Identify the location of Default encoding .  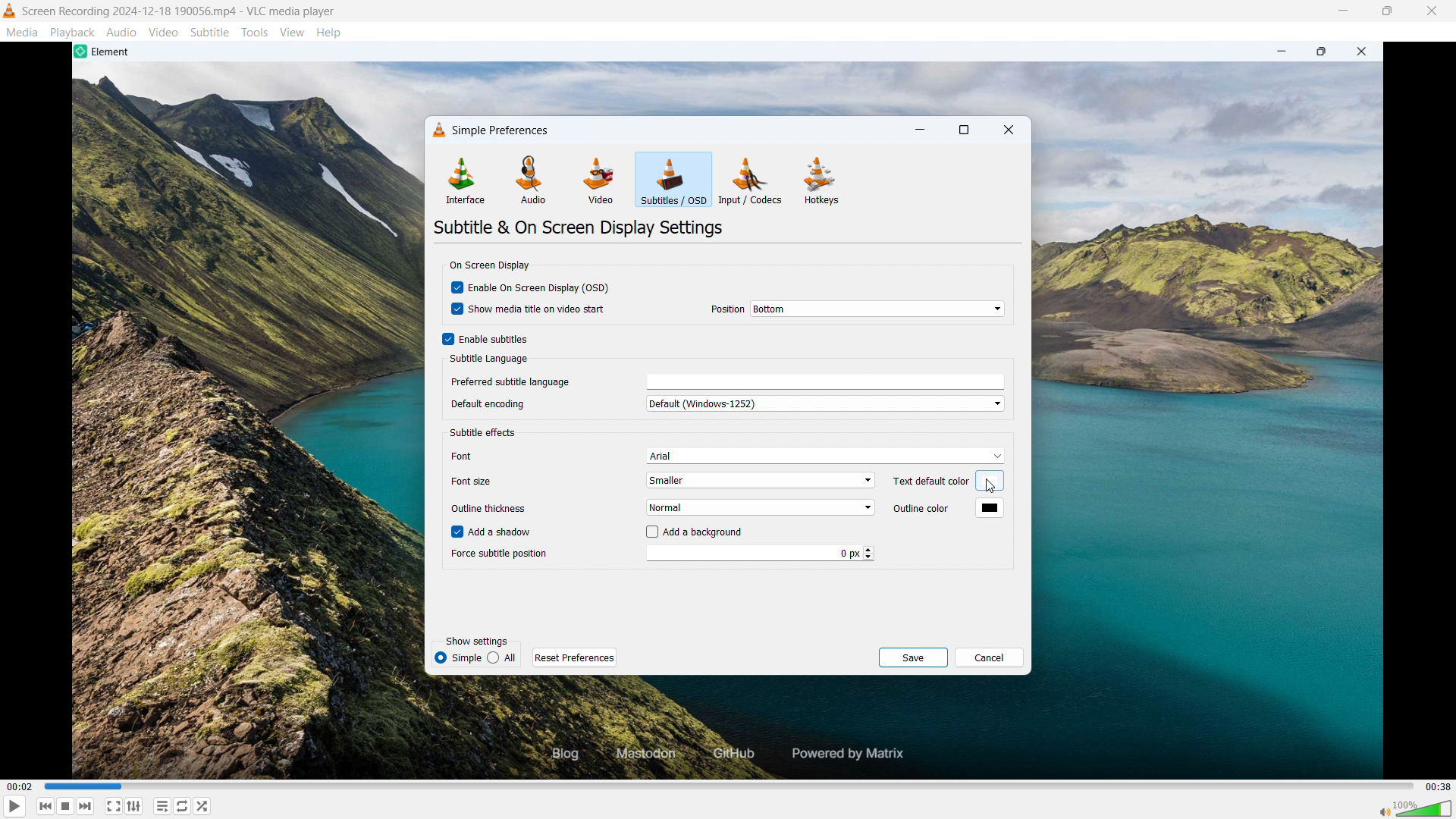
(826, 403).